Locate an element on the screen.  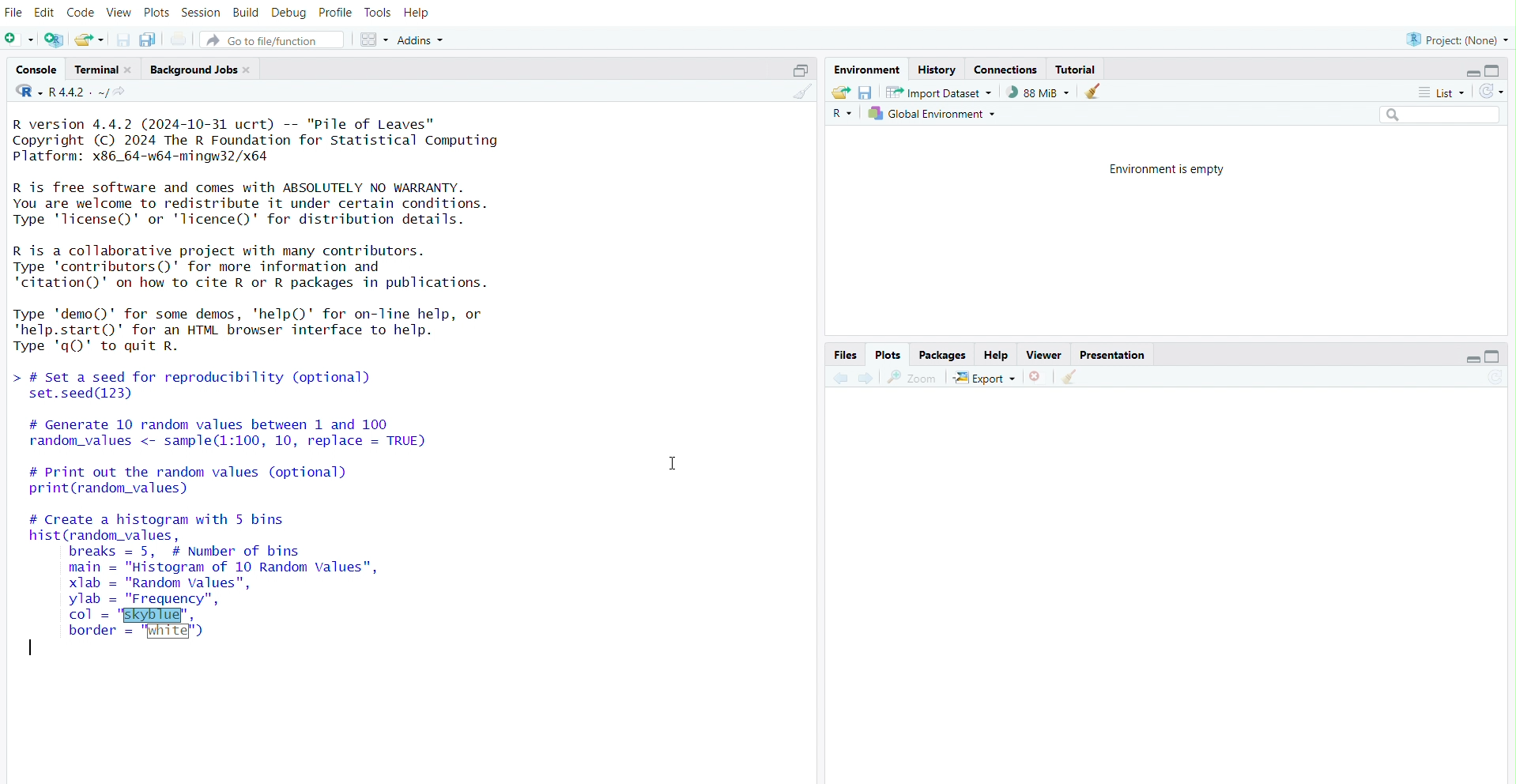
code is located at coordinates (82, 10).